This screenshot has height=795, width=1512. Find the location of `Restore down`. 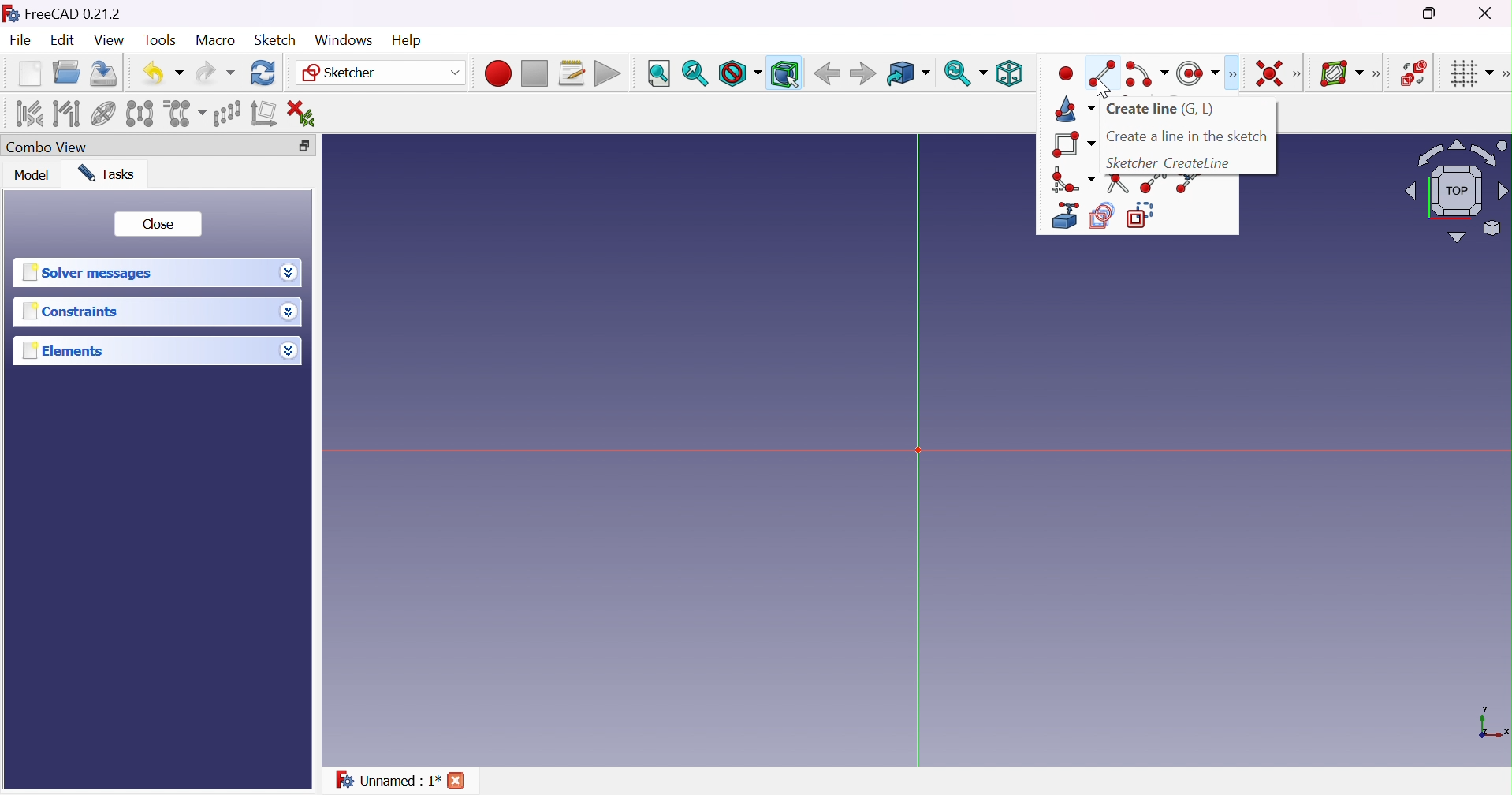

Restore down is located at coordinates (306, 144).